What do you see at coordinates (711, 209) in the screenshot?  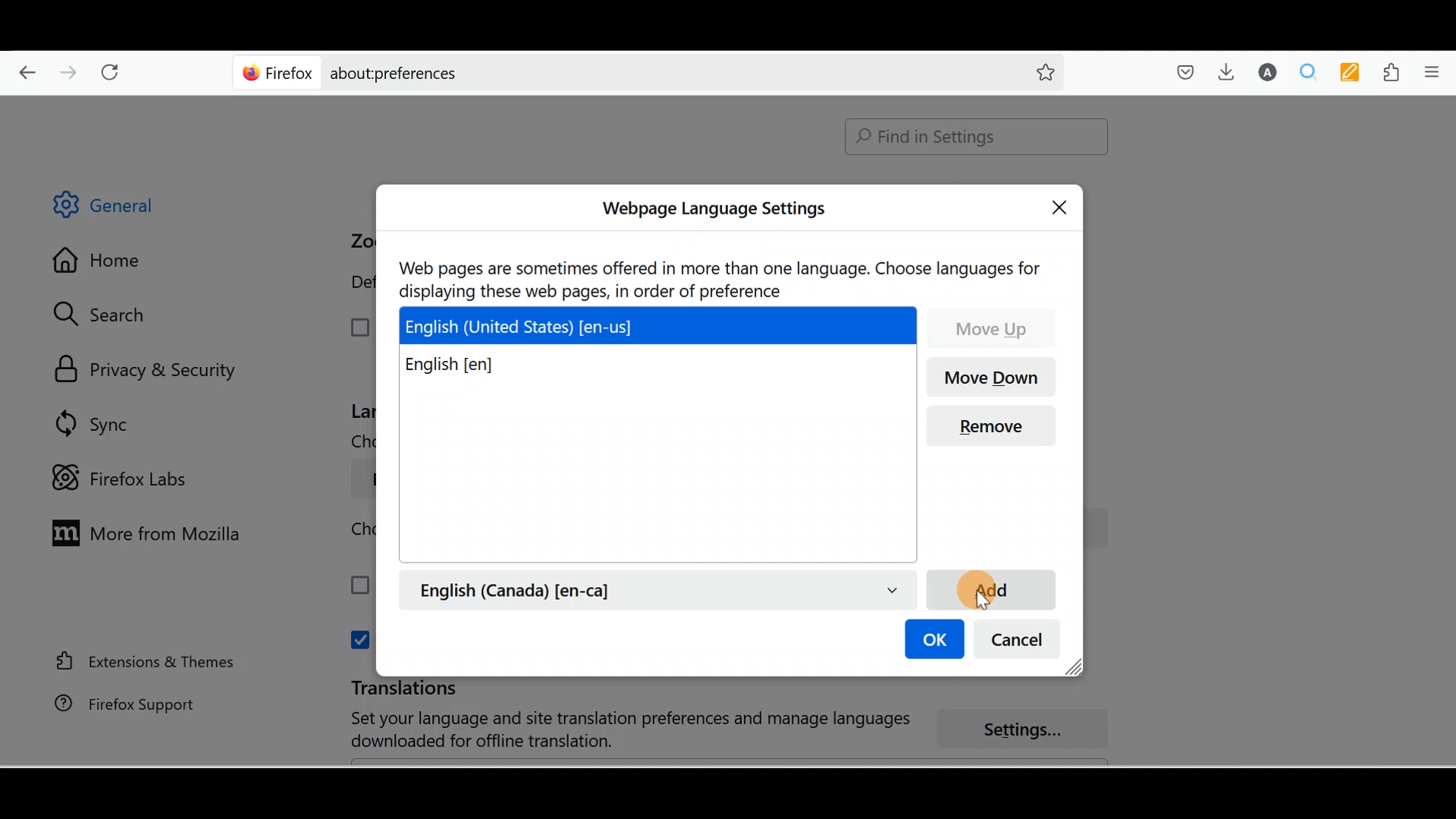 I see `Webpage Language settings` at bounding box center [711, 209].